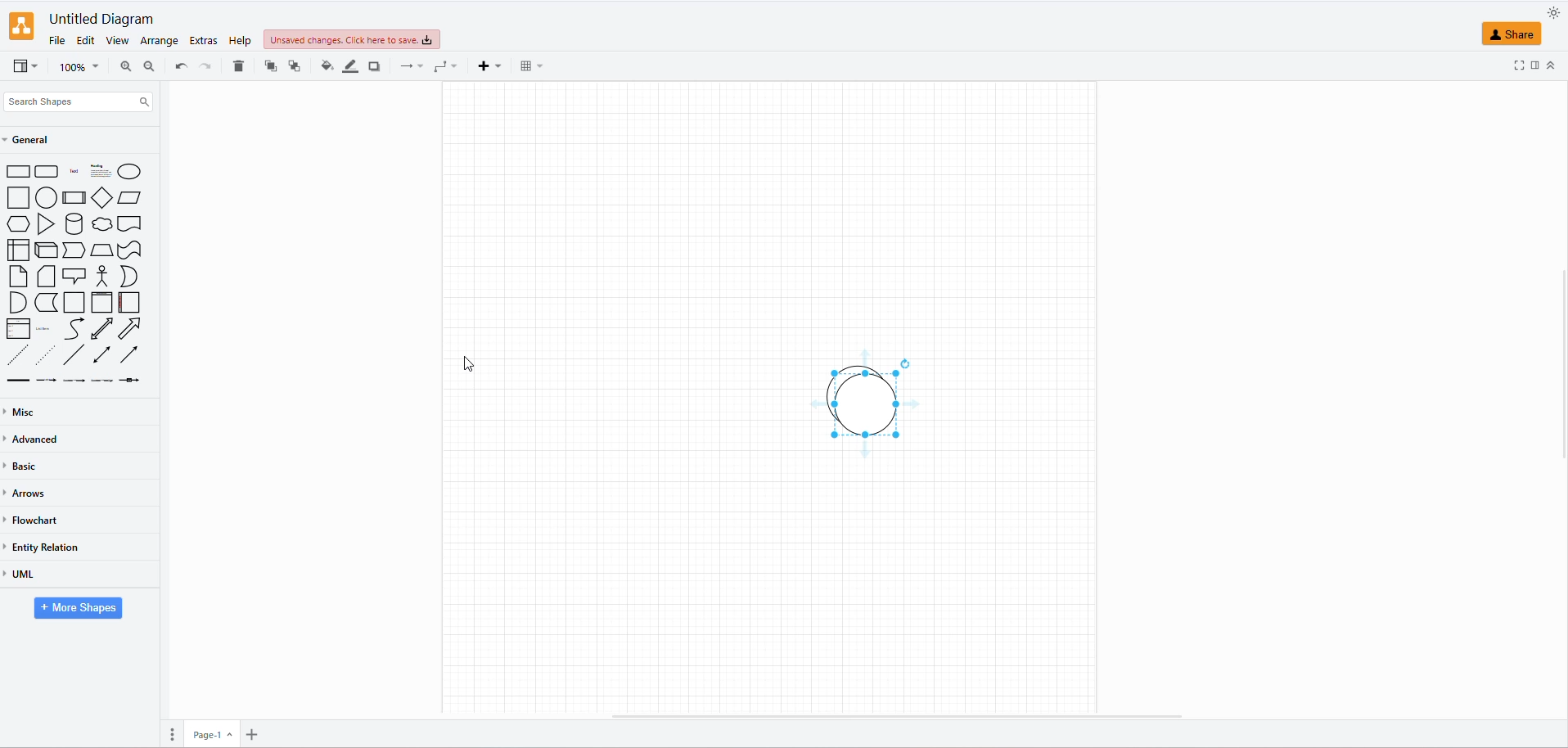 The width and height of the screenshot is (1568, 748). I want to click on CIRCLE, so click(44, 198).